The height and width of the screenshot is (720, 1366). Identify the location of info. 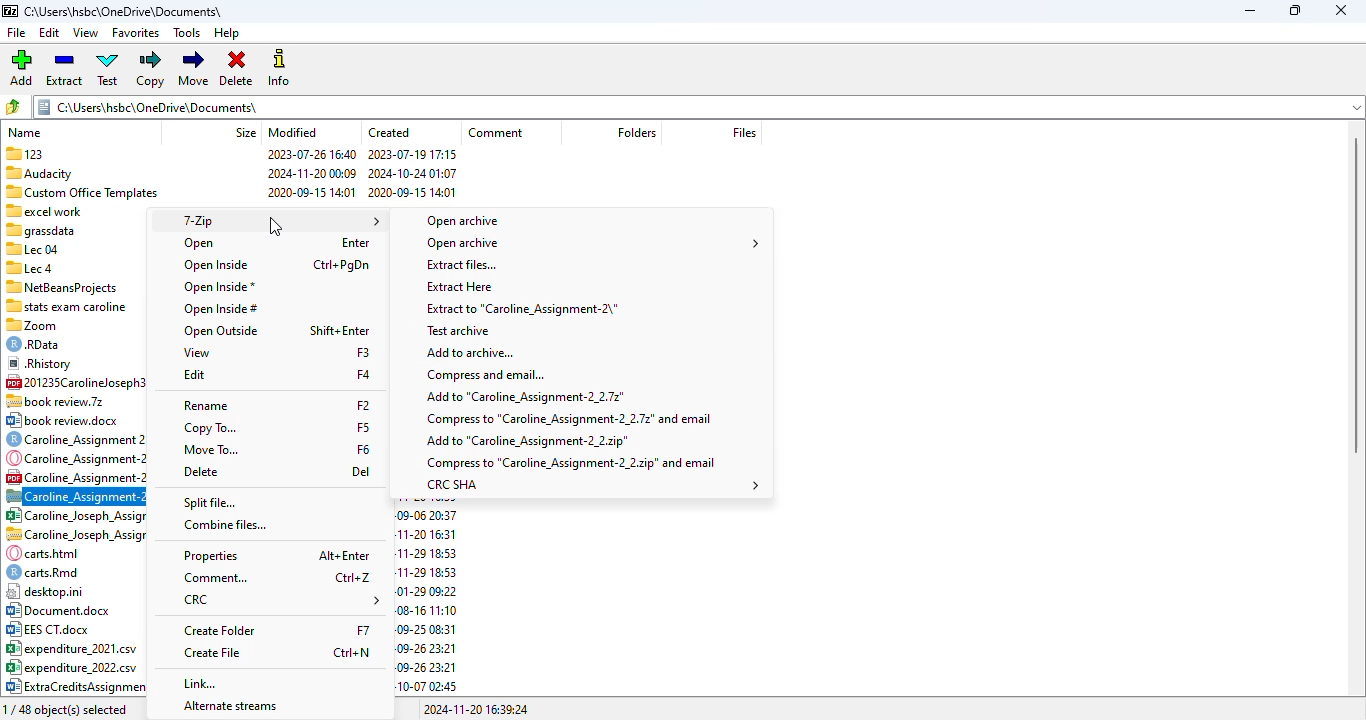
(278, 68).